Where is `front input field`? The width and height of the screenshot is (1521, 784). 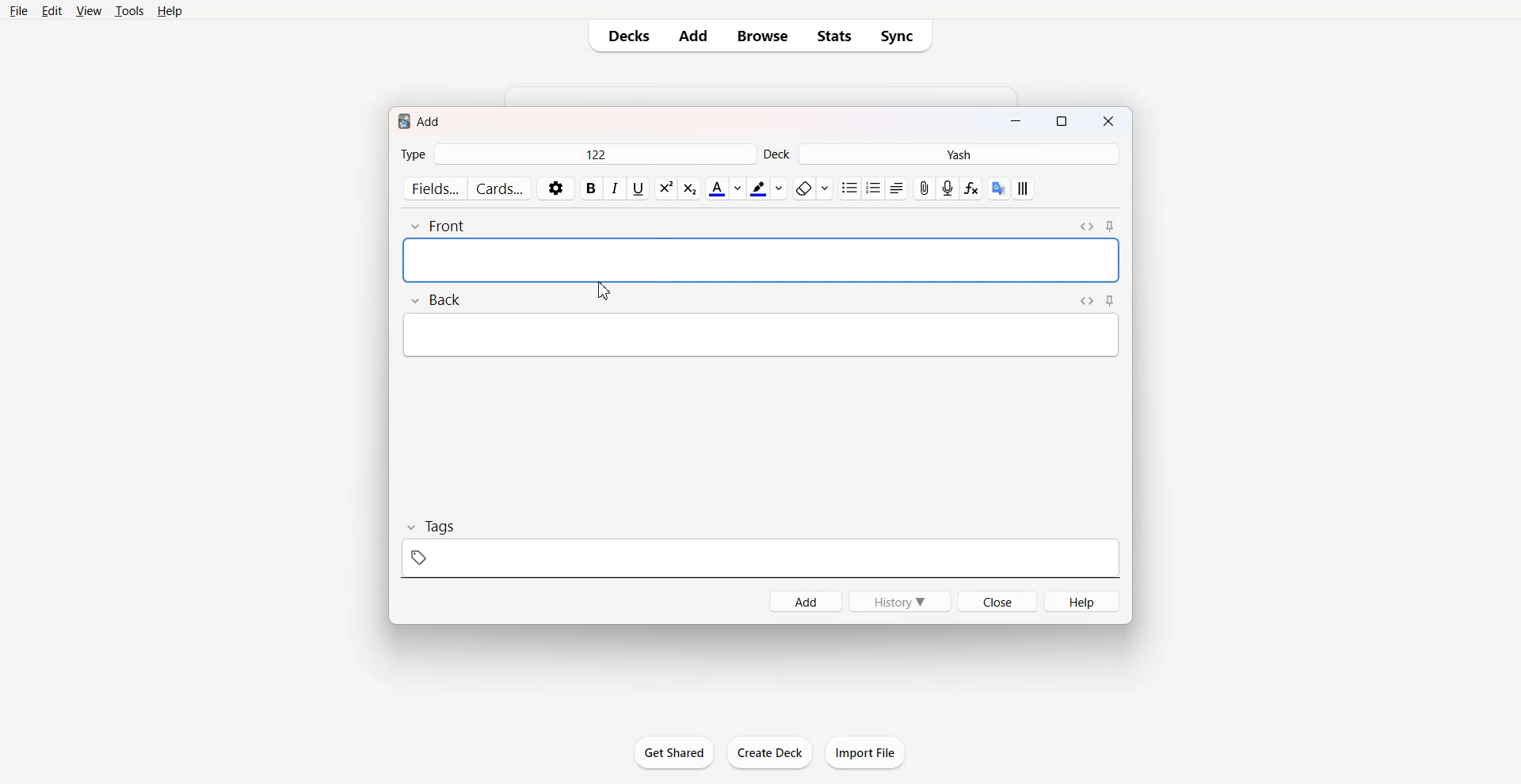 front input field is located at coordinates (760, 260).